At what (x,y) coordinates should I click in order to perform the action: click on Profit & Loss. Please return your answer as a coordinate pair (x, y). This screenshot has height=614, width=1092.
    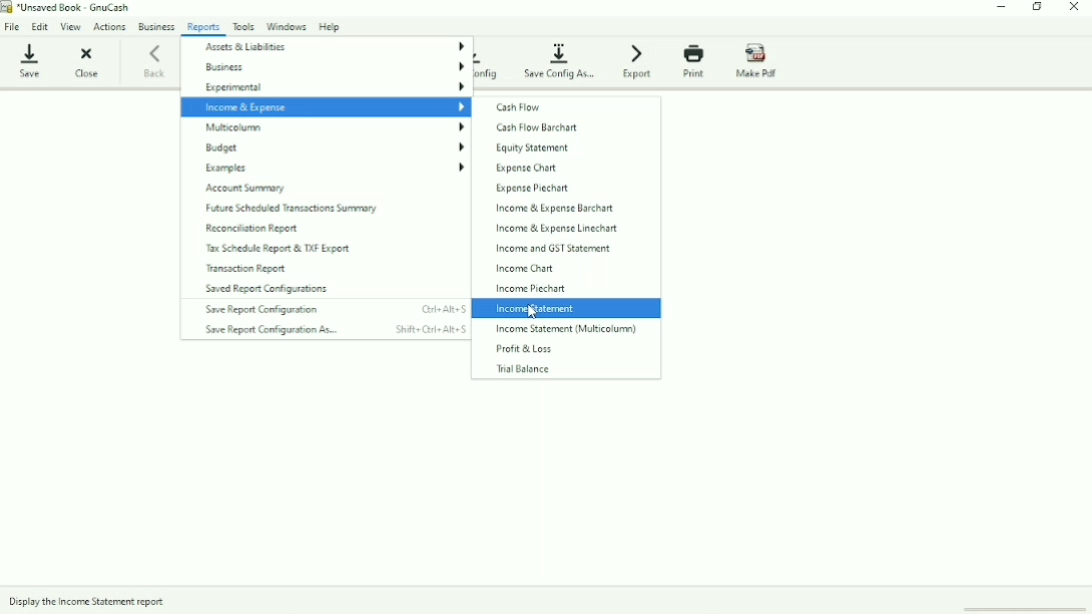
    Looking at the image, I should click on (528, 349).